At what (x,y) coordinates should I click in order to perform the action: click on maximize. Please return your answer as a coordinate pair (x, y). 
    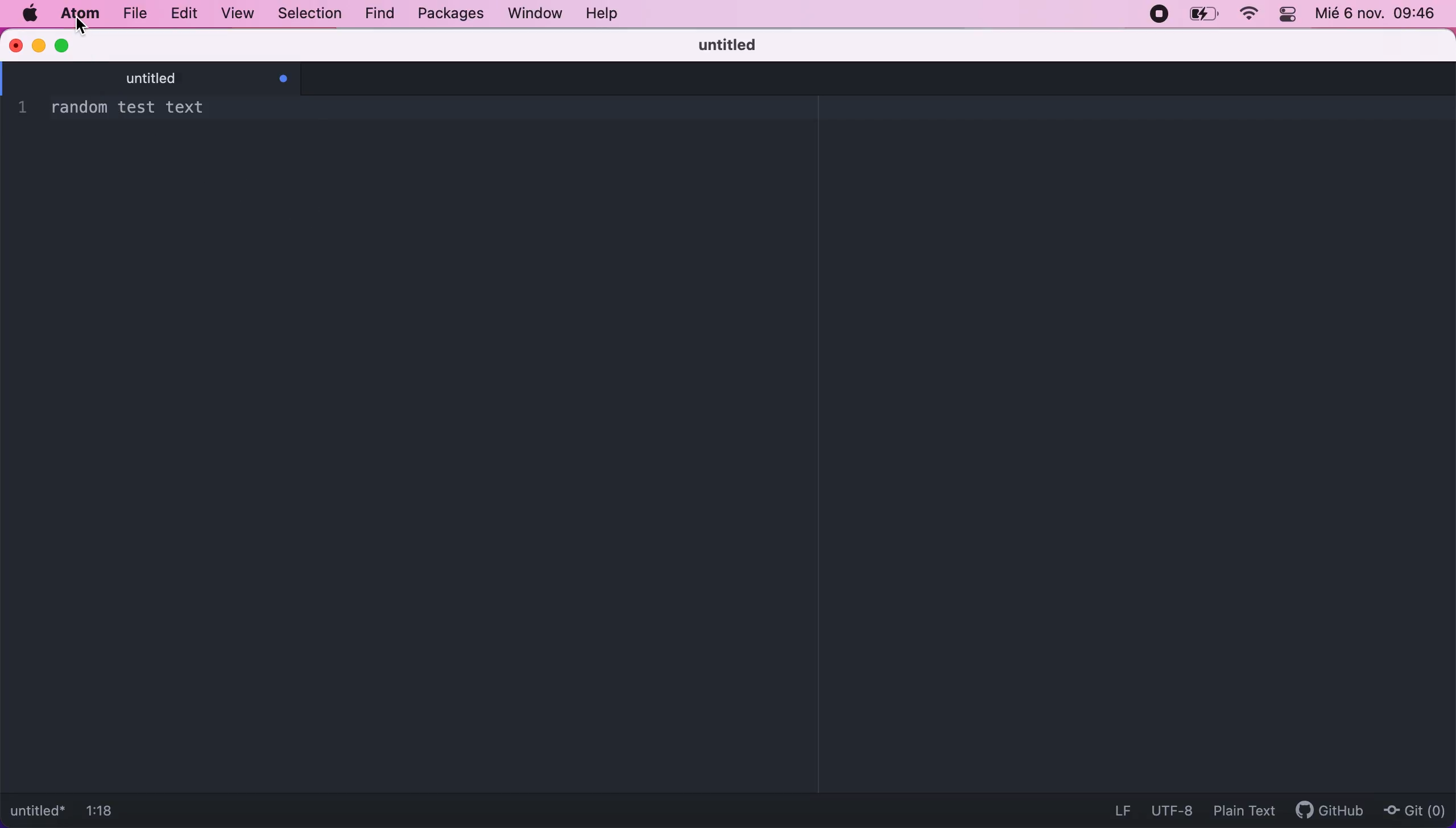
    Looking at the image, I should click on (64, 44).